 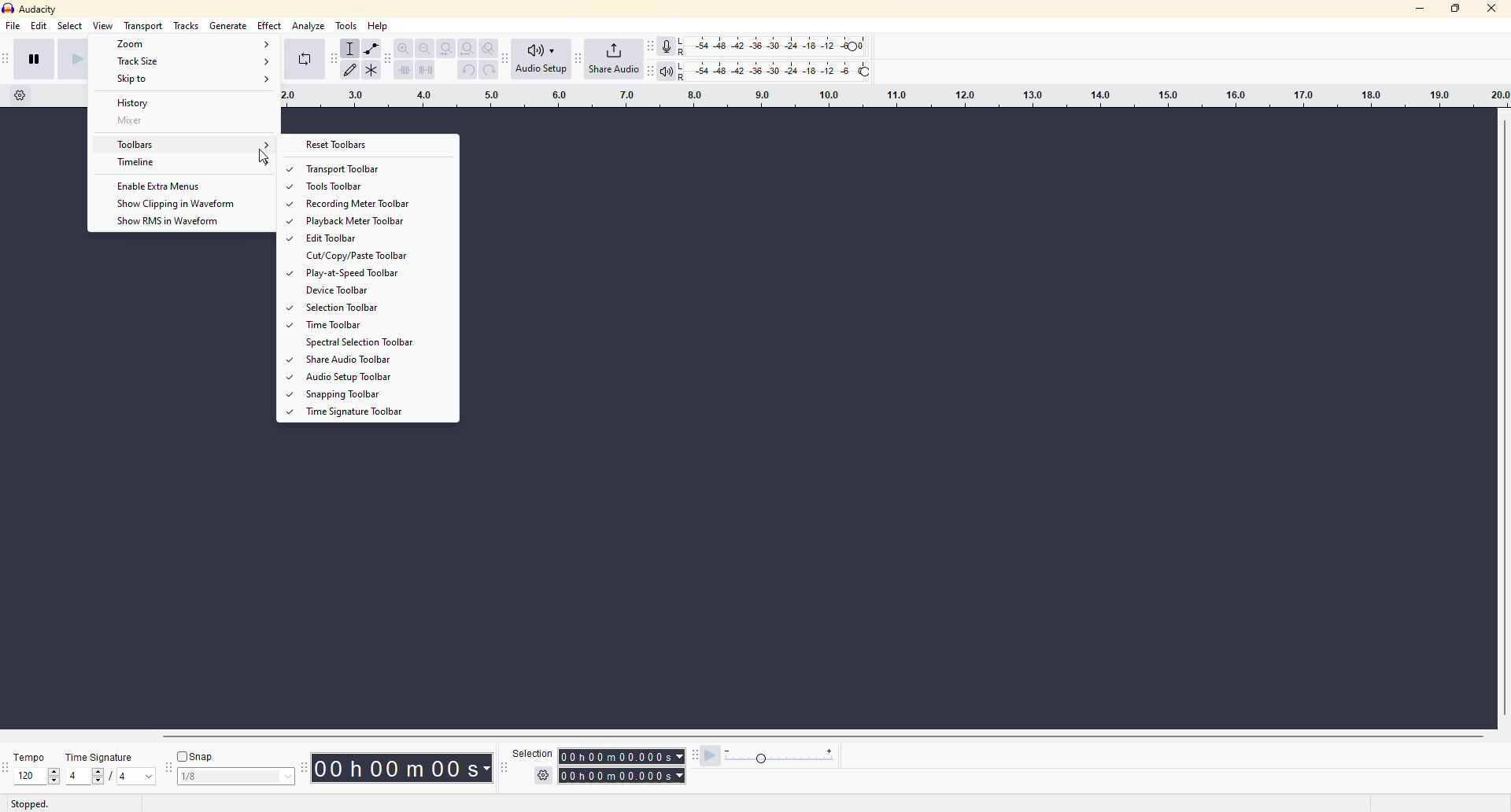 What do you see at coordinates (488, 70) in the screenshot?
I see `redo` at bounding box center [488, 70].